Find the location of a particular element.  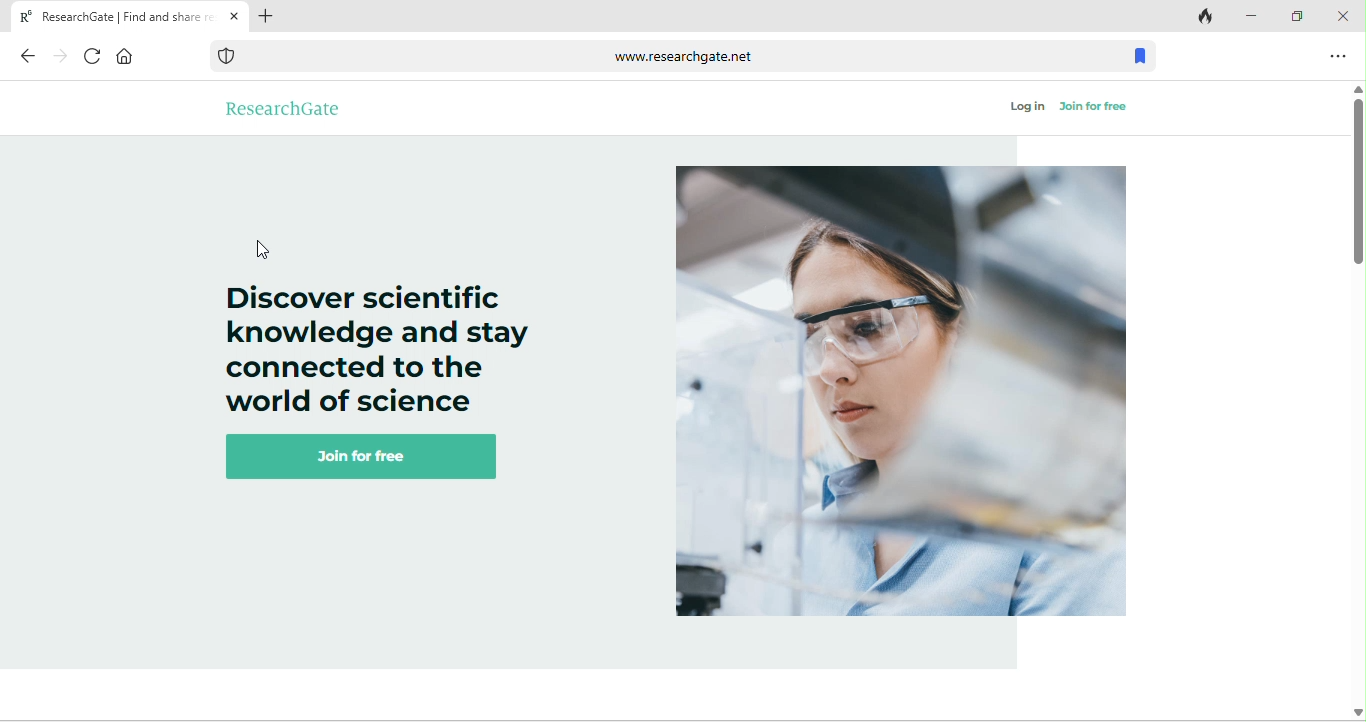

join for free is located at coordinates (1096, 109).